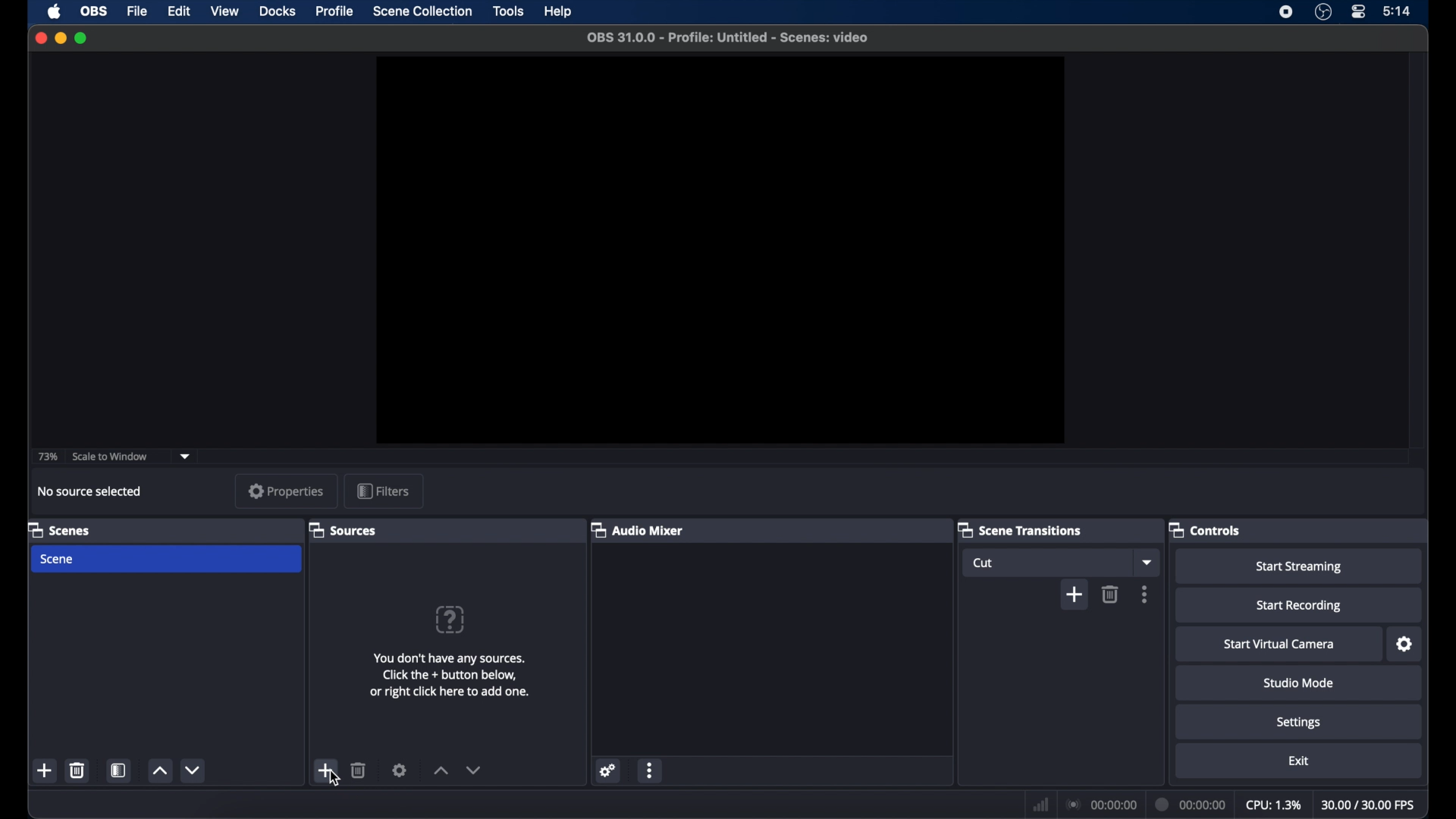 This screenshot has height=819, width=1456. Describe the element at coordinates (559, 11) in the screenshot. I see `help` at that location.